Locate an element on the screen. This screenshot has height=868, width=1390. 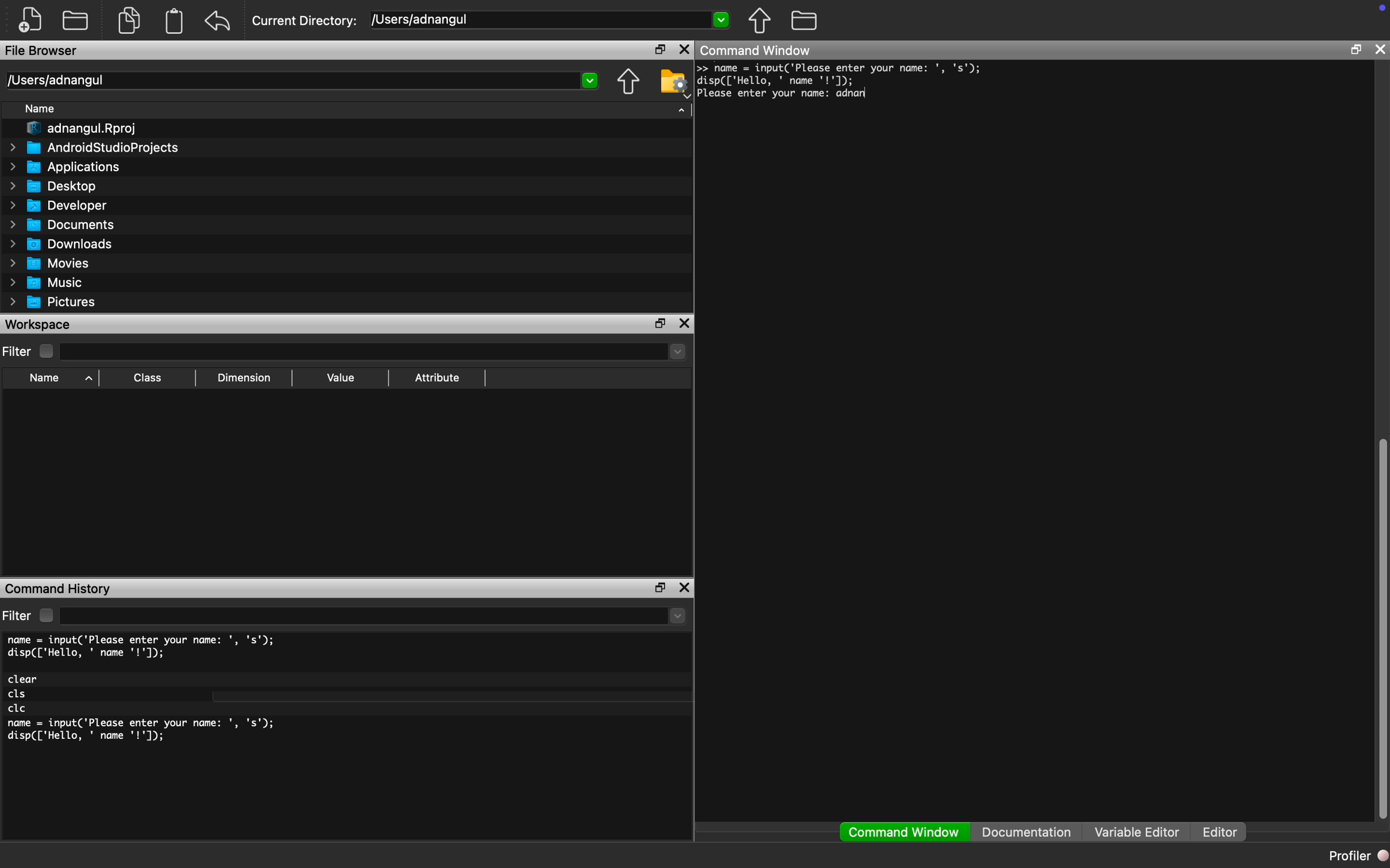
dropdown is located at coordinates (720, 18).